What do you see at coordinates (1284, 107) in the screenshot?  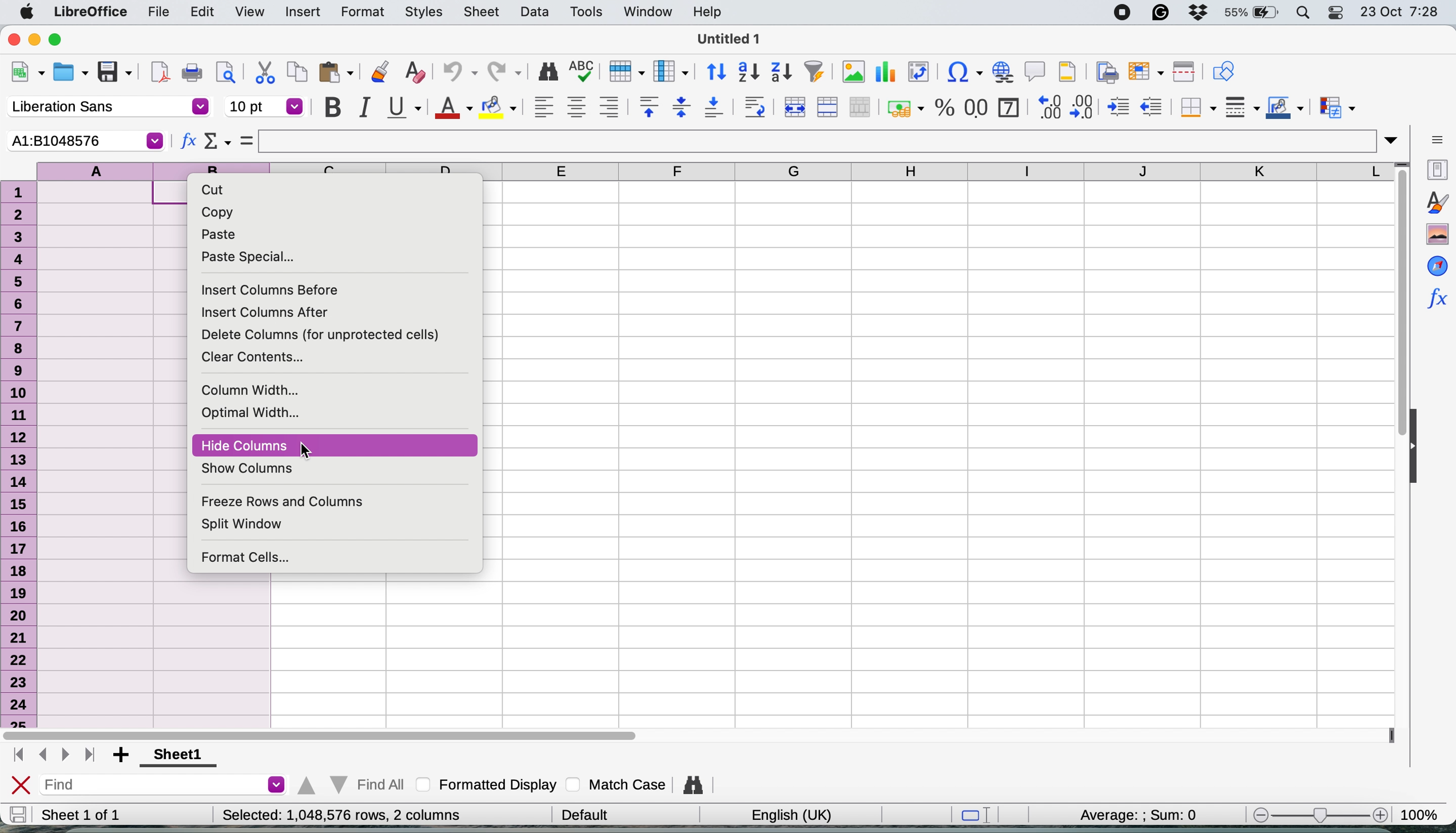 I see `border colour` at bounding box center [1284, 107].